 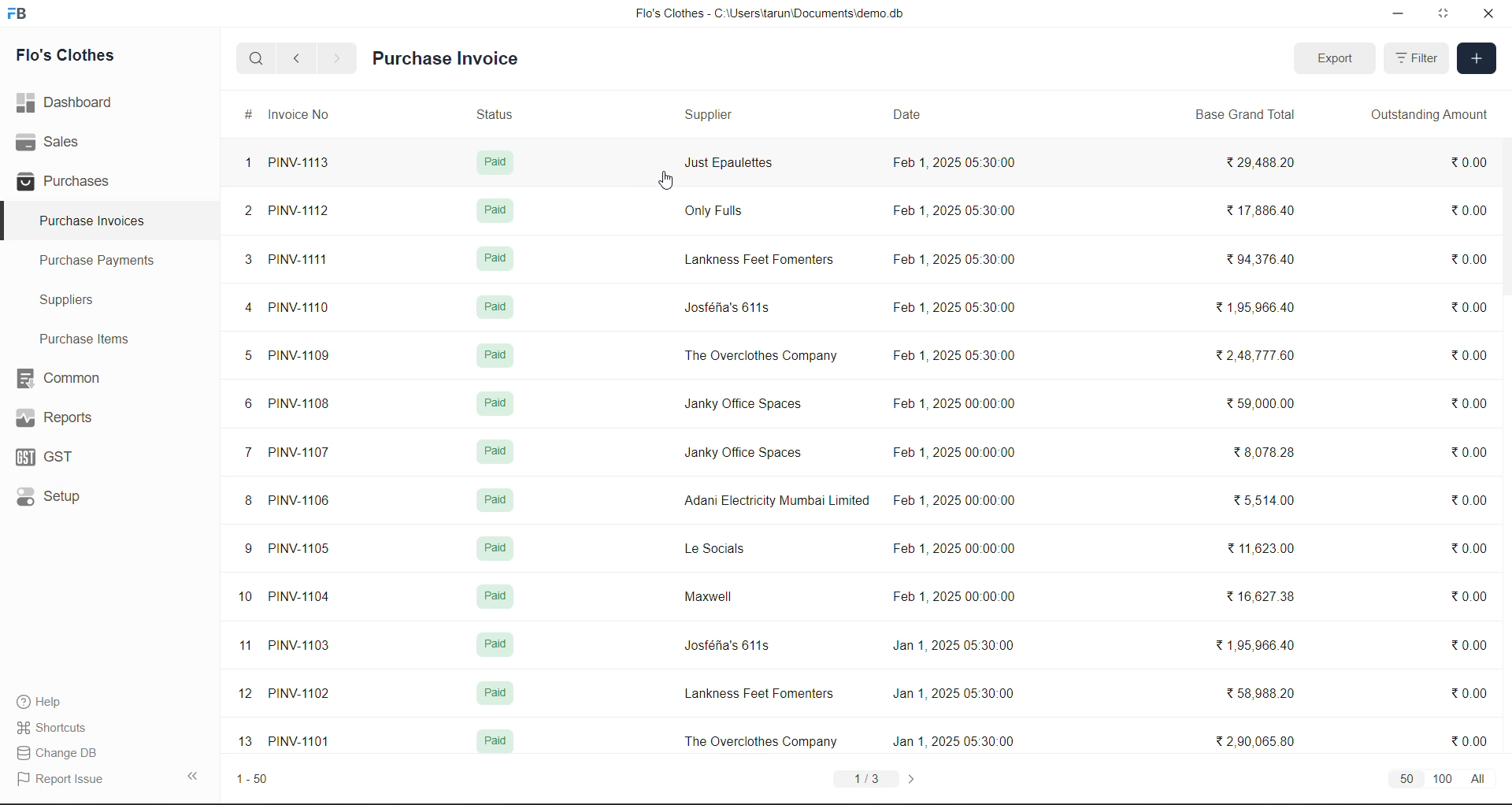 I want to click on  GST, so click(x=64, y=457).